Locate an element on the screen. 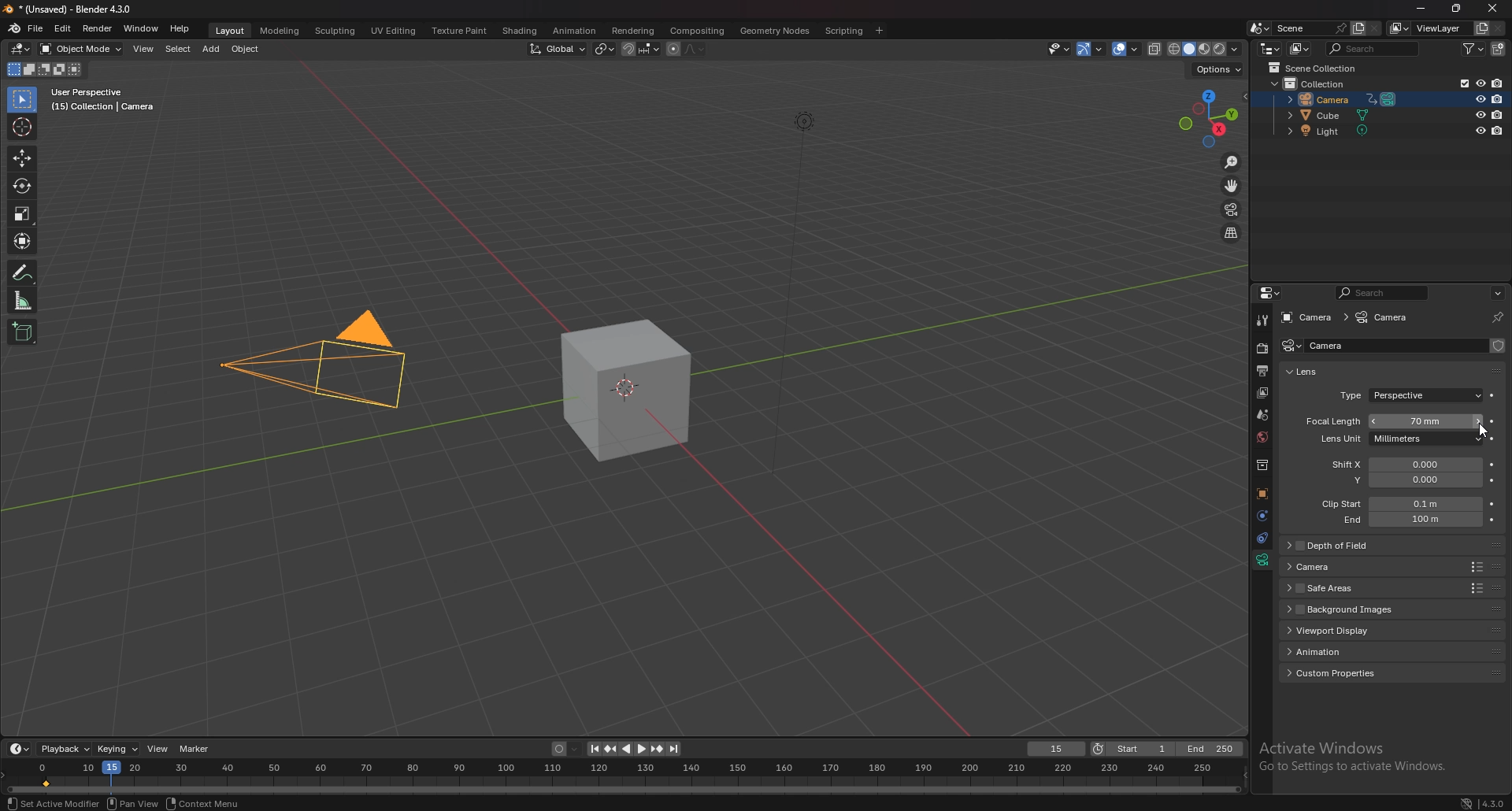  Less Unit is located at coordinates (1388, 441).